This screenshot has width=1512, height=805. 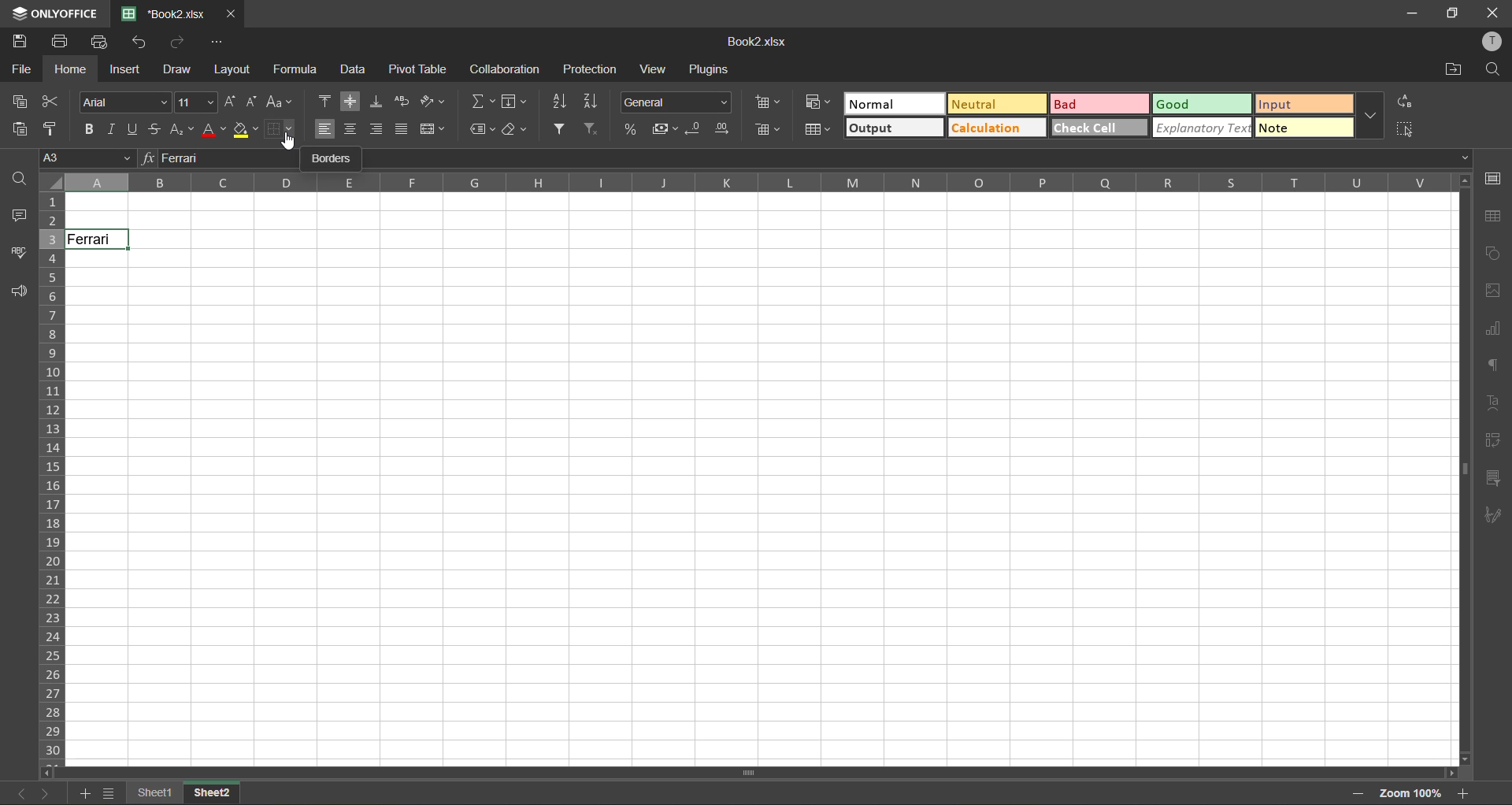 What do you see at coordinates (218, 42) in the screenshot?
I see `customize quick access toolbar` at bounding box center [218, 42].